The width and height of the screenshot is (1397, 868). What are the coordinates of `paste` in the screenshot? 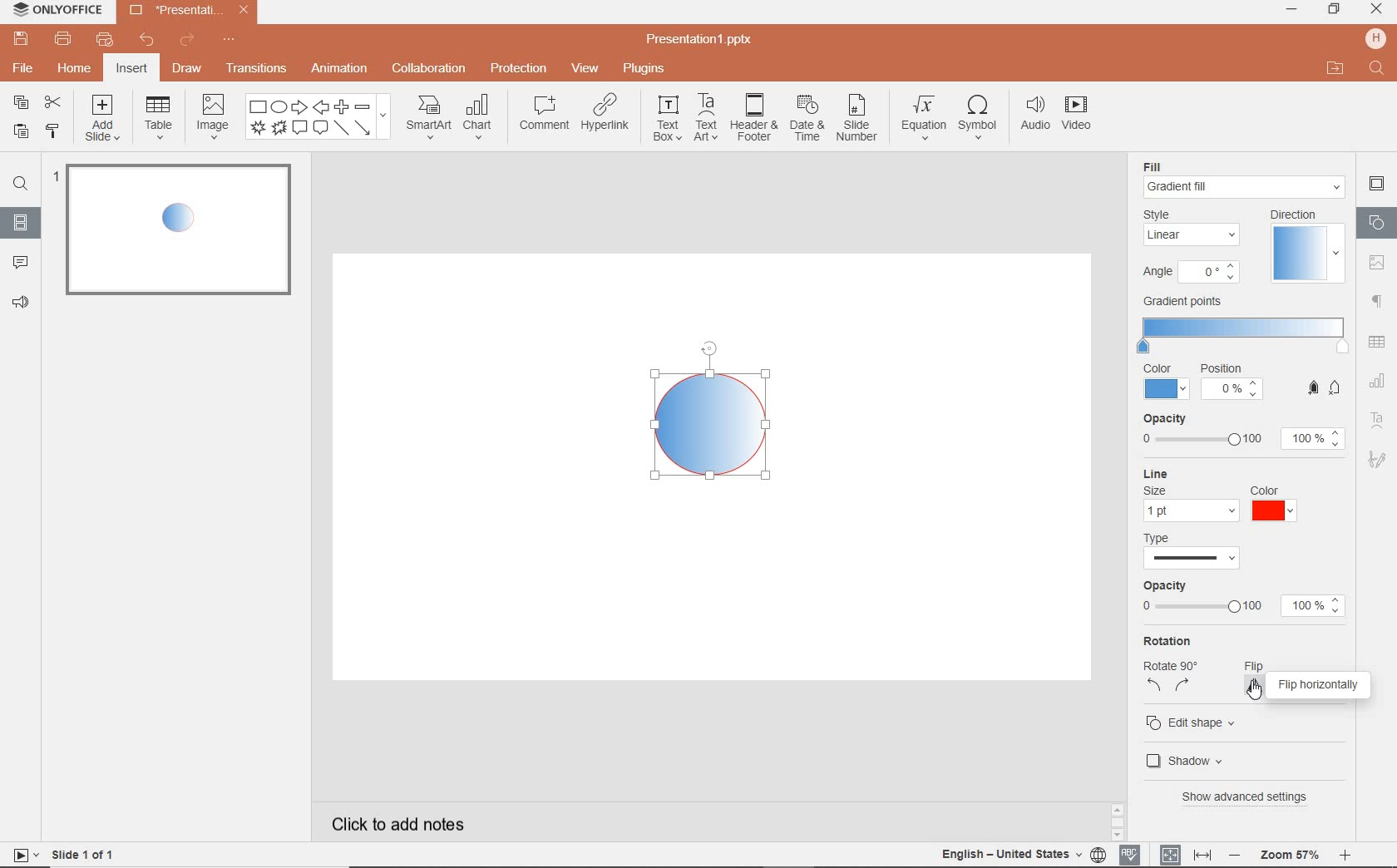 It's located at (20, 133).